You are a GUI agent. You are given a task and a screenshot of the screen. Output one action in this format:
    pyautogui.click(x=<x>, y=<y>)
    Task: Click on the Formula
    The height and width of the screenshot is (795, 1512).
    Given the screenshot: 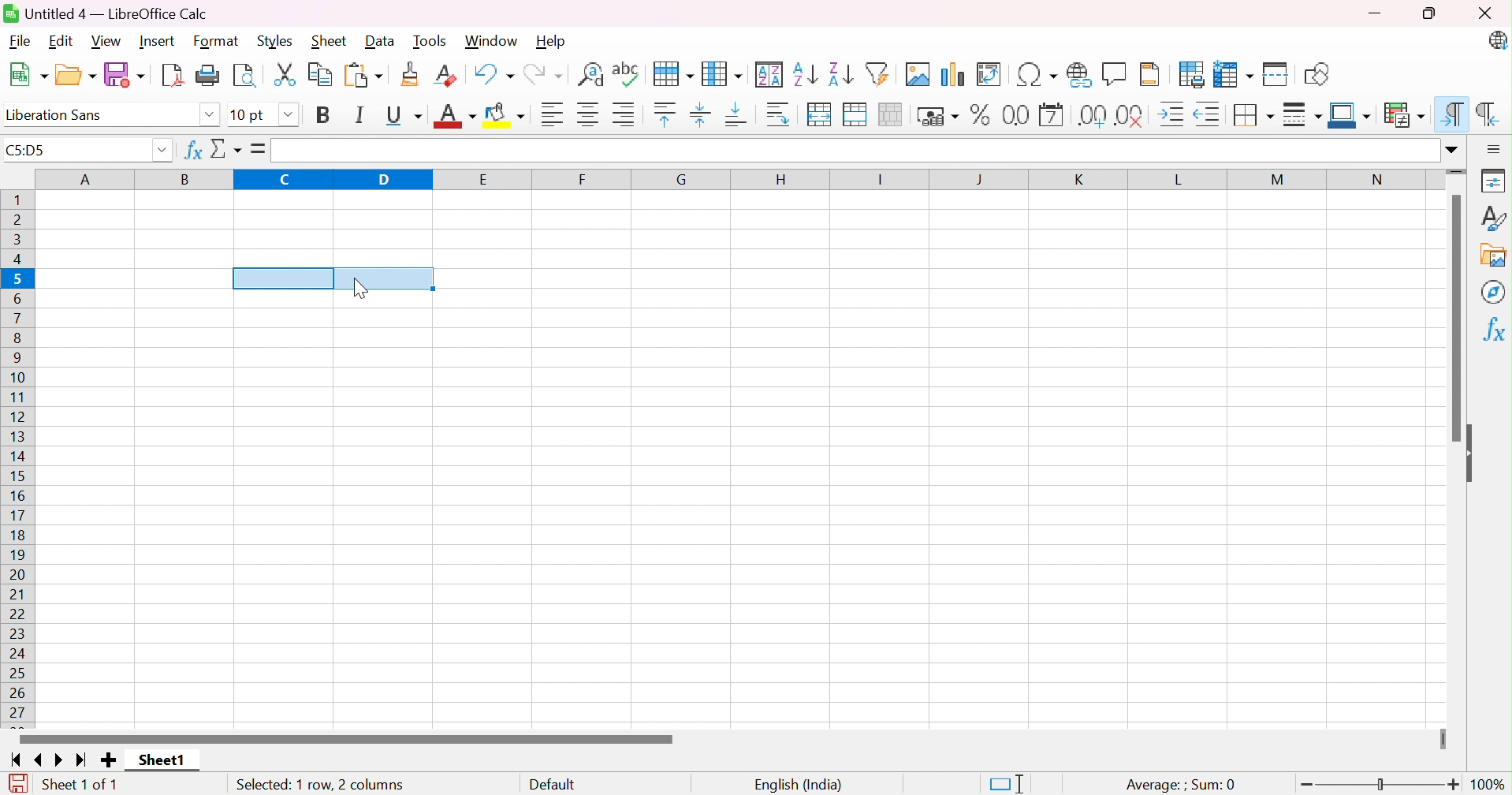 What is the action you would take?
    pyautogui.click(x=259, y=148)
    